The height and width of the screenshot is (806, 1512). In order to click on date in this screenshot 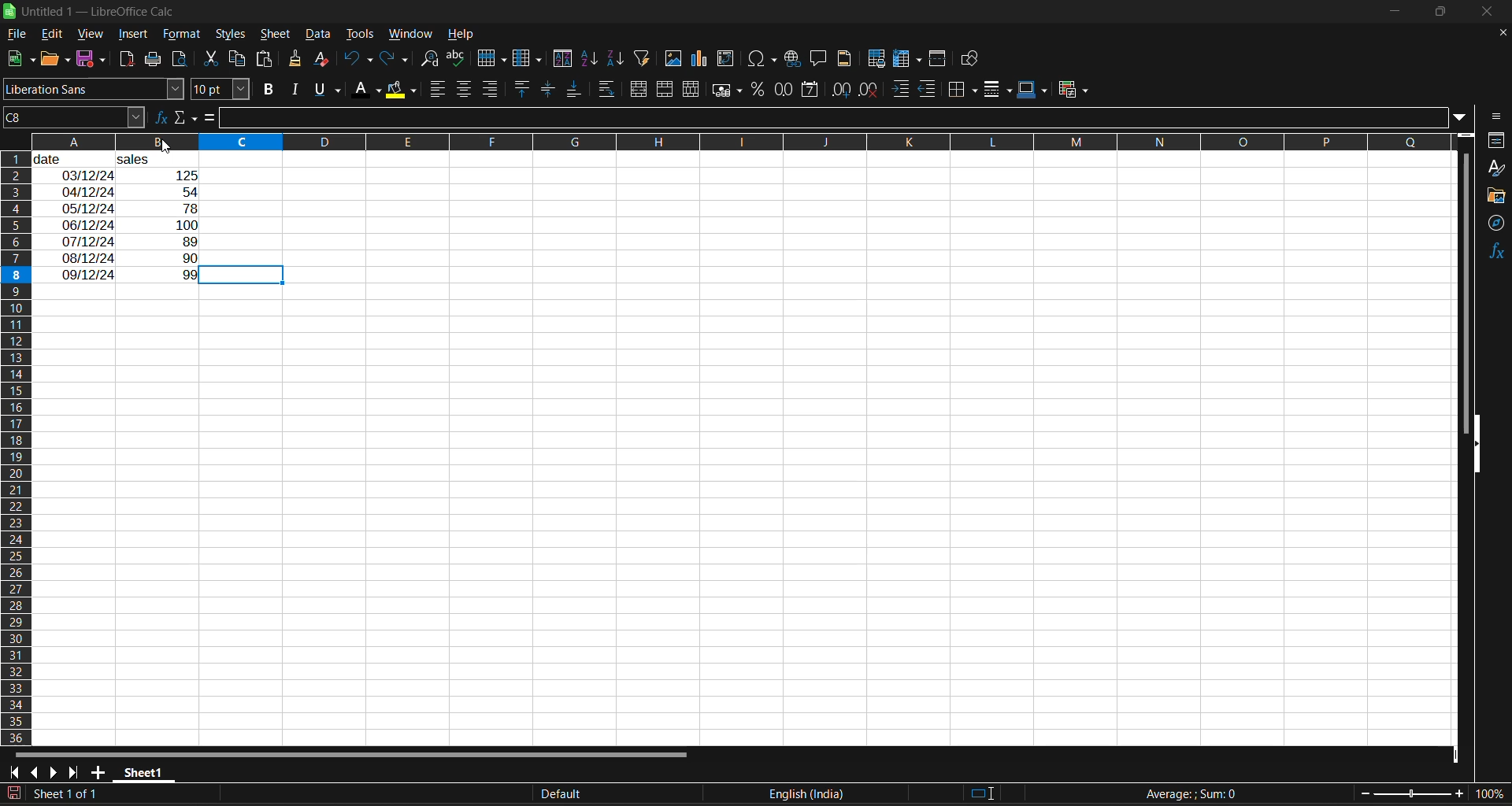, I will do `click(69, 158)`.